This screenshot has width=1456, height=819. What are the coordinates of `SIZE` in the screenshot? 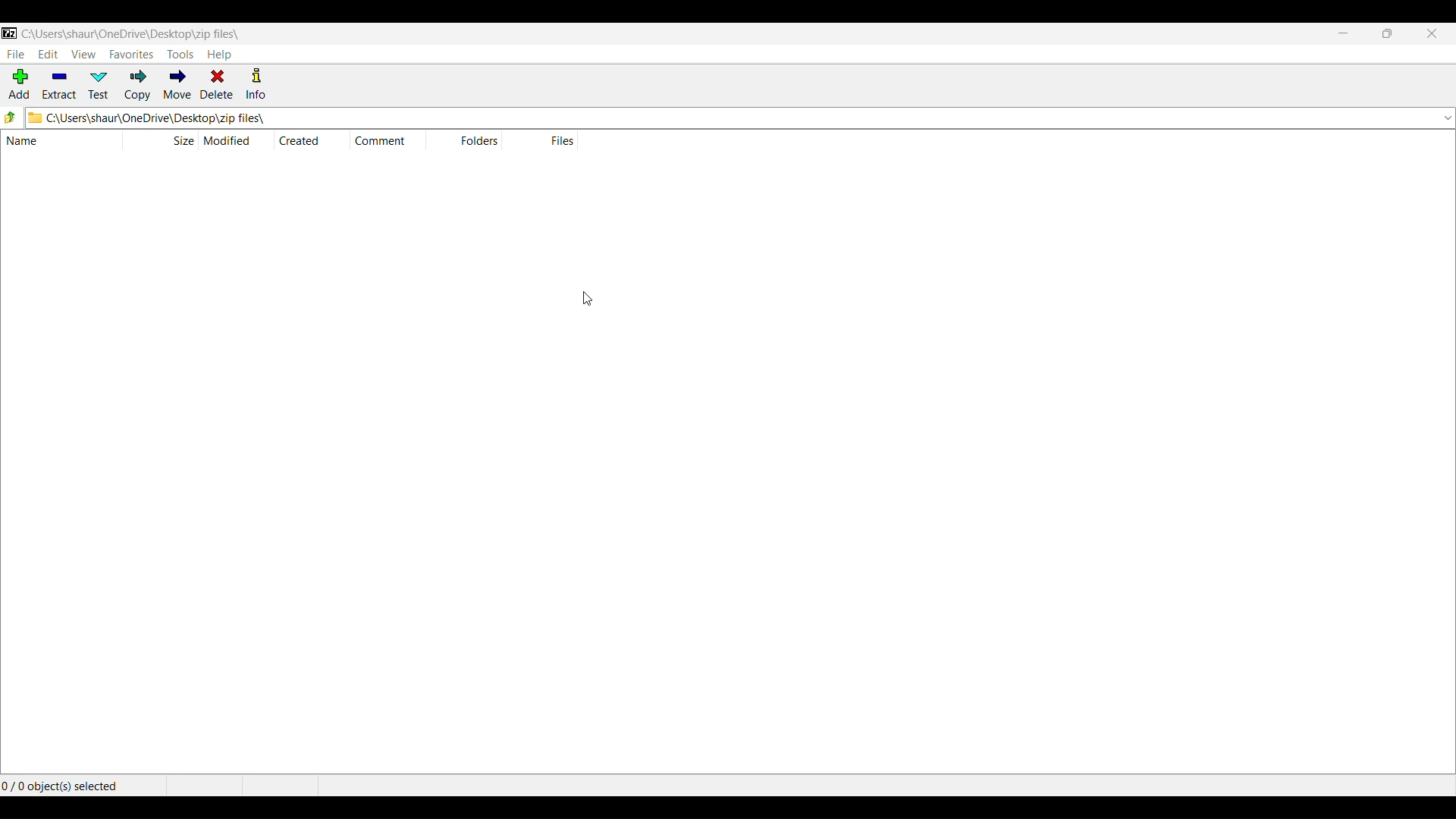 It's located at (183, 140).